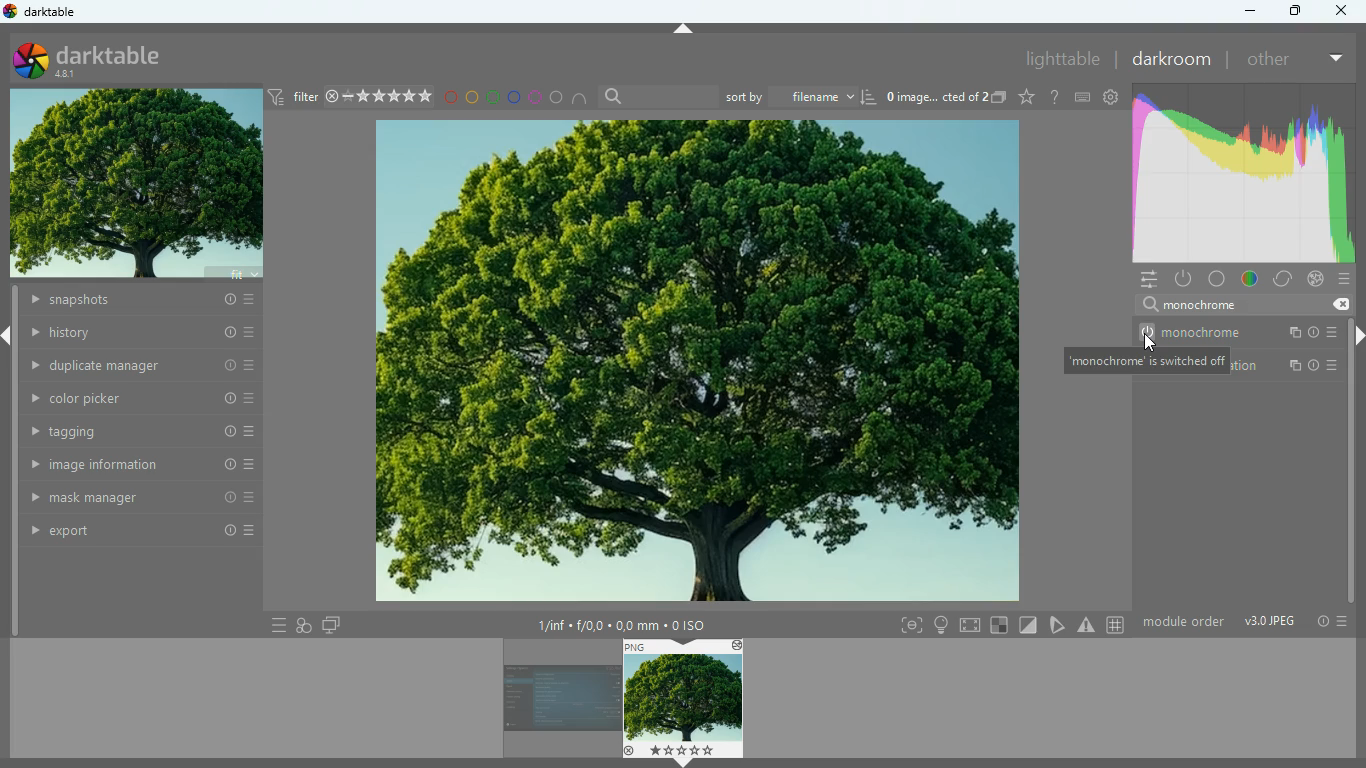  Describe the element at coordinates (538, 98) in the screenshot. I see `pink` at that location.